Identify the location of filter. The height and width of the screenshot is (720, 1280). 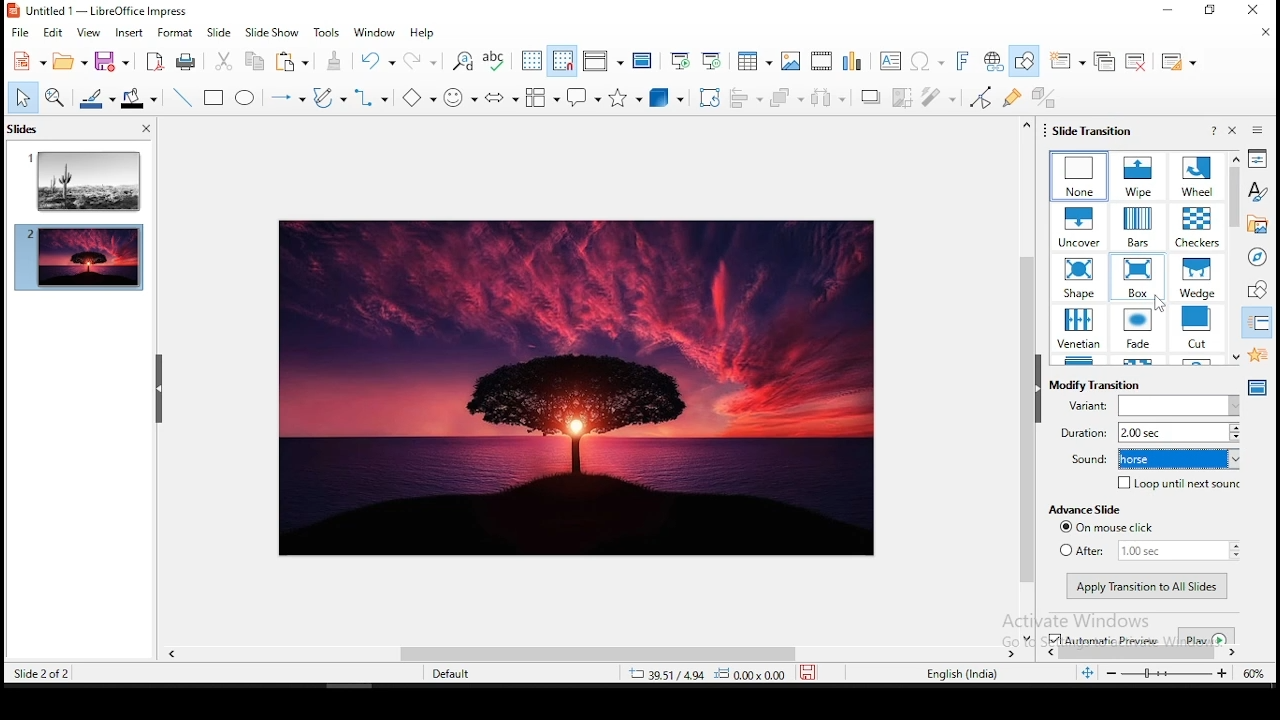
(939, 96).